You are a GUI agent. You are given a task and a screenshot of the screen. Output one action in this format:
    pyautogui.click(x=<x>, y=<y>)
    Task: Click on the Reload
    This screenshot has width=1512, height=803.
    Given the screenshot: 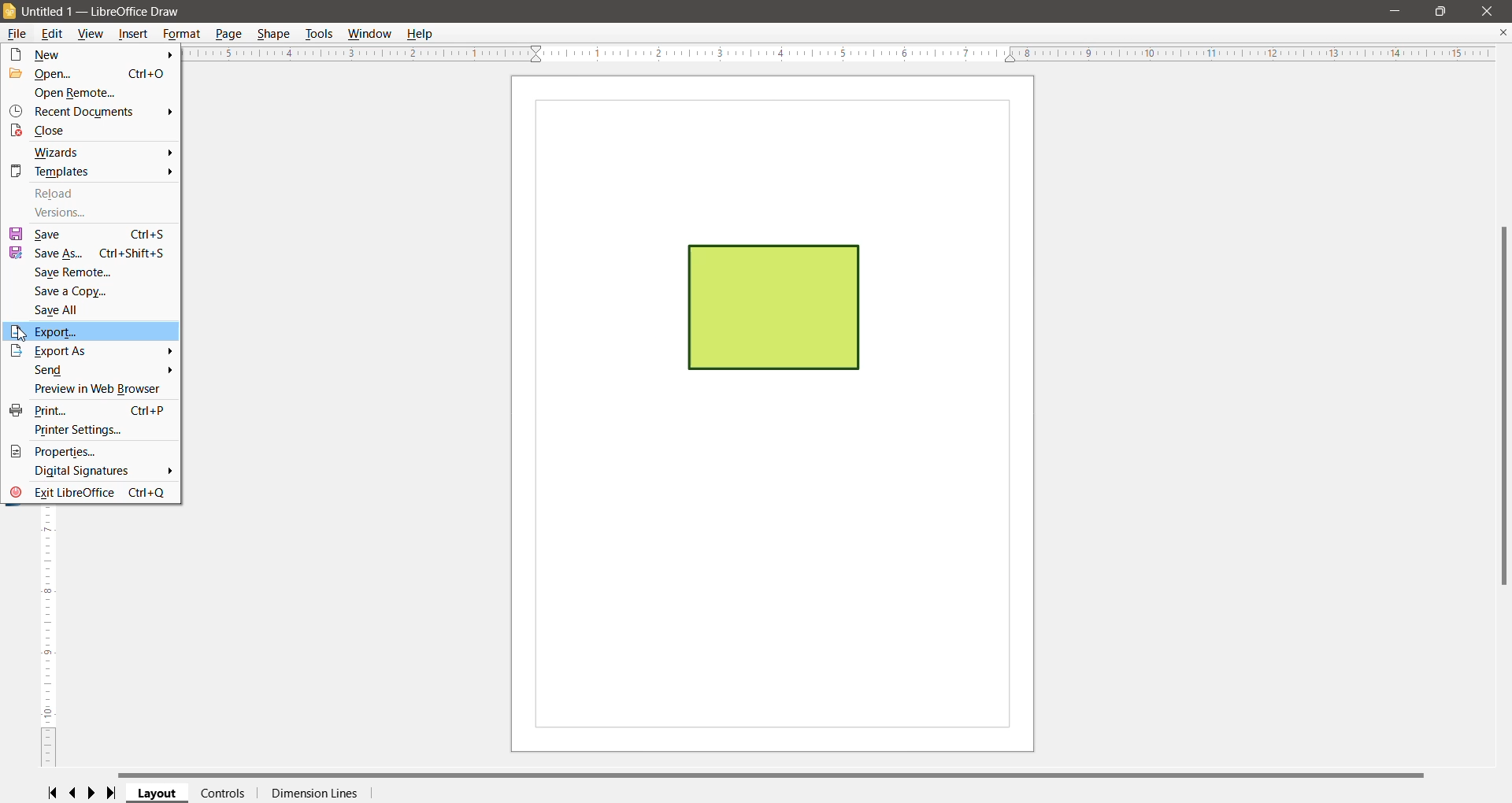 What is the action you would take?
    pyautogui.click(x=57, y=194)
    